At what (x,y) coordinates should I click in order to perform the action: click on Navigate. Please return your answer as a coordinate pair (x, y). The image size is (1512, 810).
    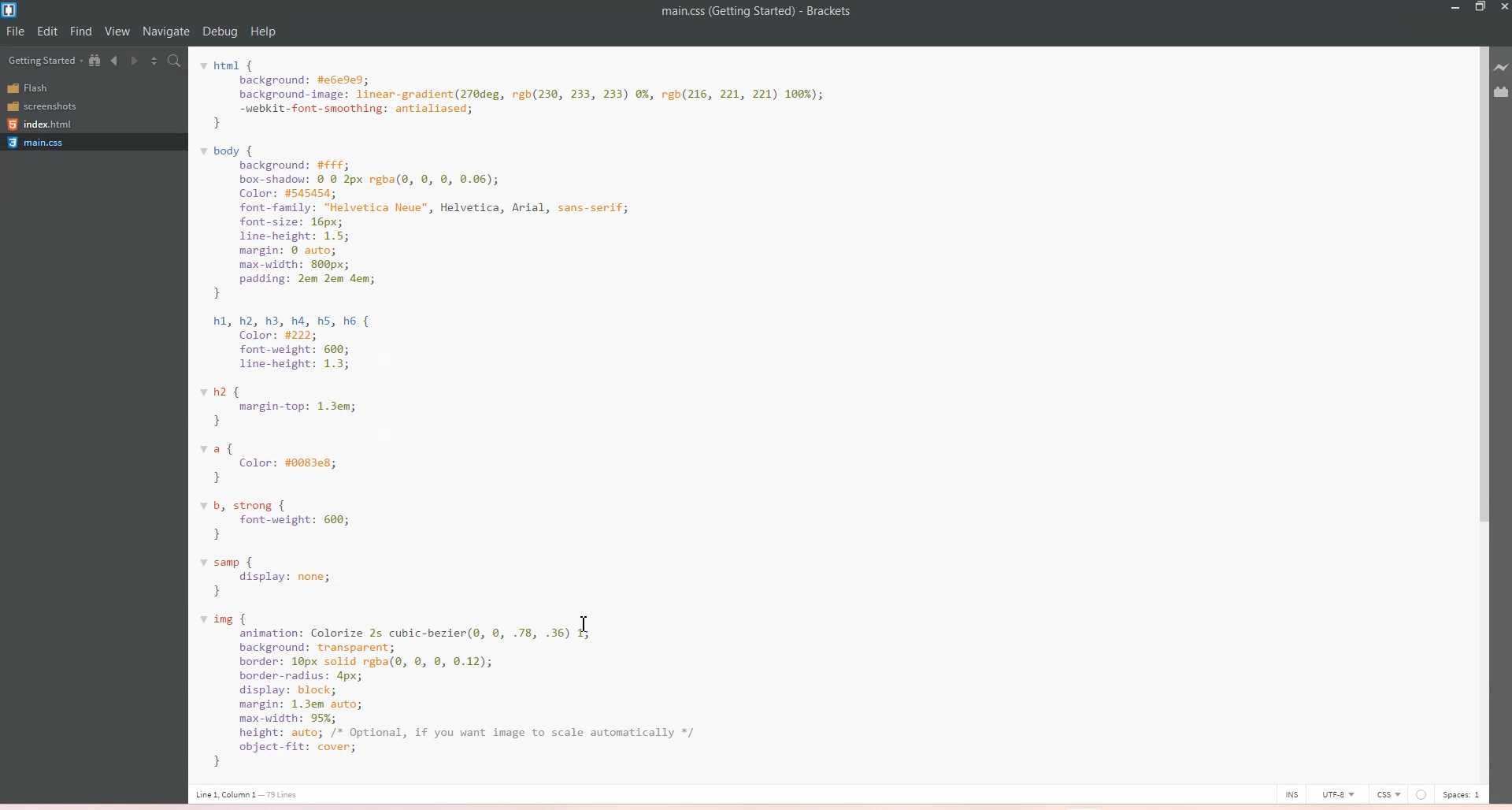
    Looking at the image, I should click on (167, 31).